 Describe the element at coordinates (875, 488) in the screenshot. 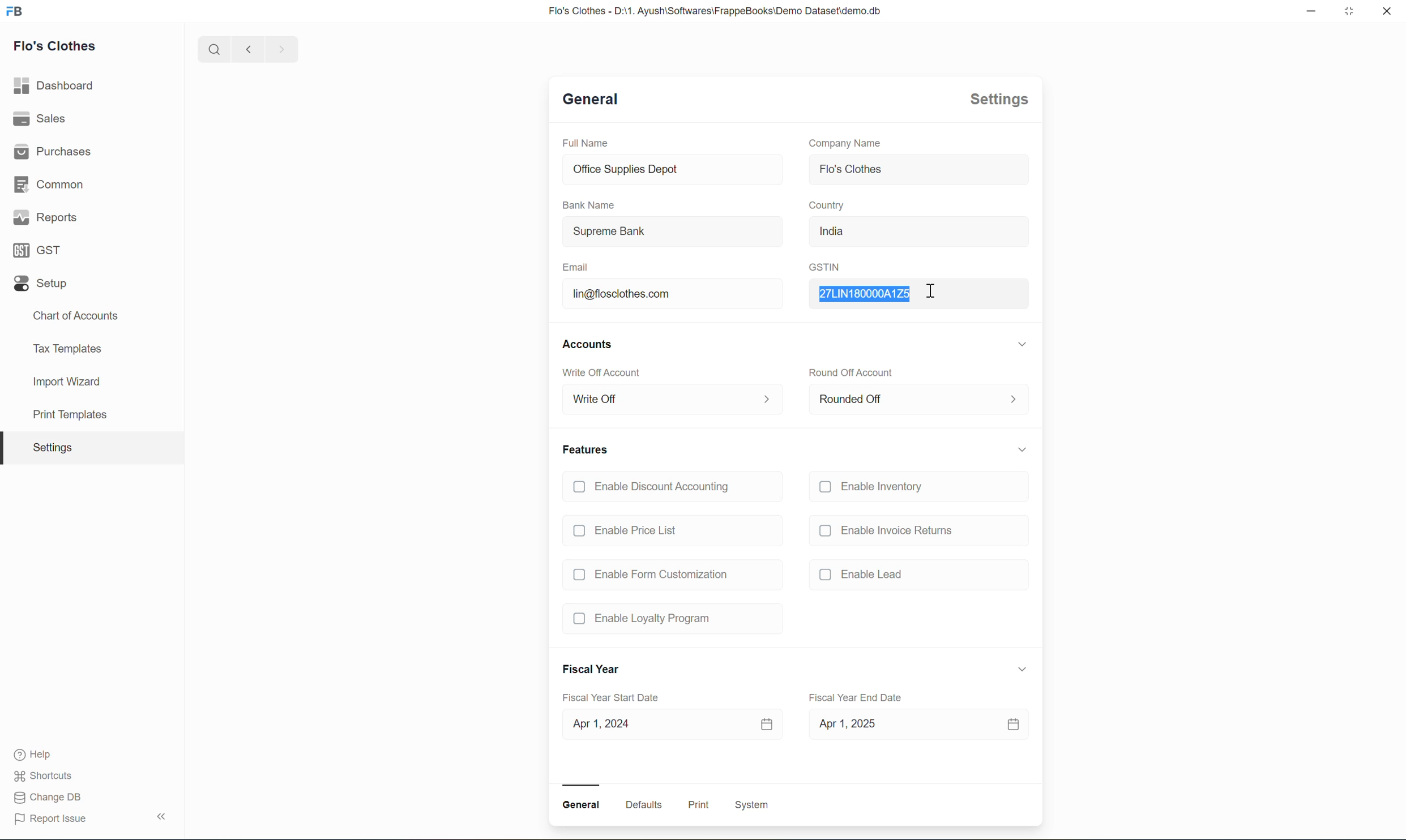

I see `Enable Inventory` at that location.